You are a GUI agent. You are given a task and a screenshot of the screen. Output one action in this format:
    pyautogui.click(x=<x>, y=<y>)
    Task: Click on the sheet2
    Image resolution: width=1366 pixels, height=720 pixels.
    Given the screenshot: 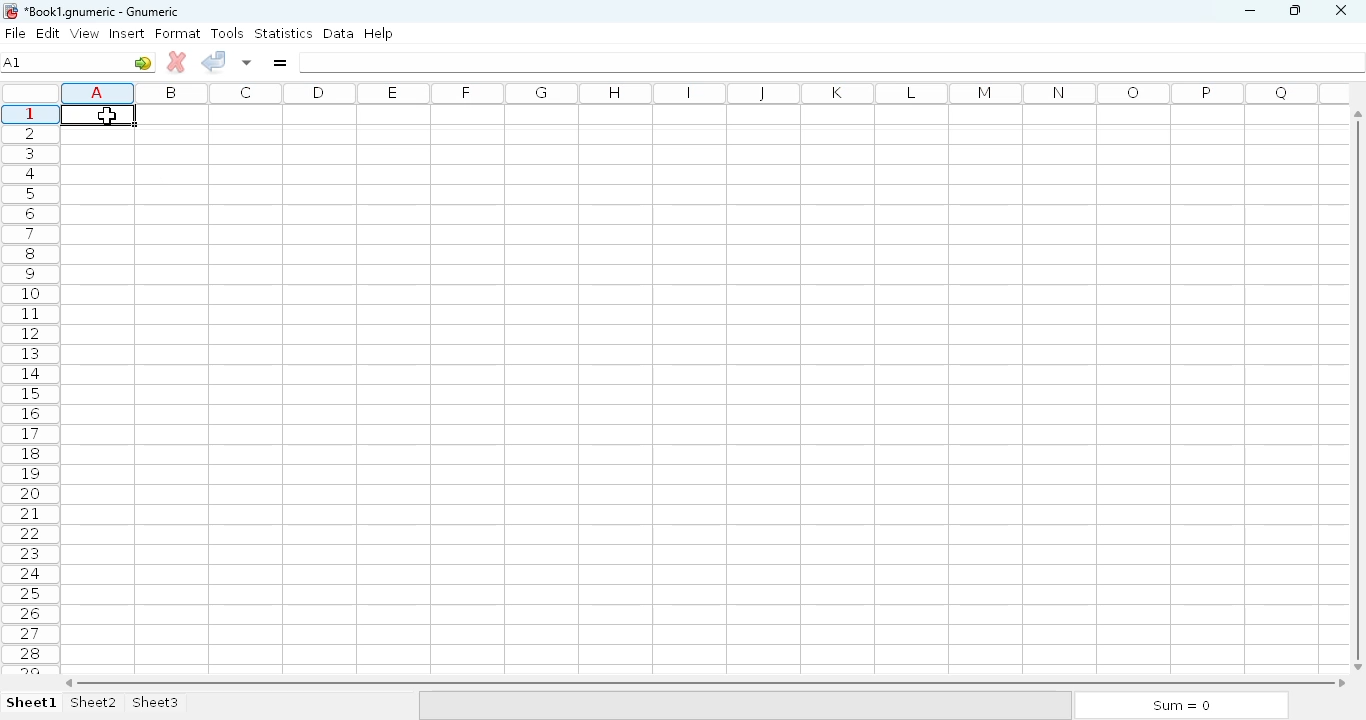 What is the action you would take?
    pyautogui.click(x=95, y=703)
    